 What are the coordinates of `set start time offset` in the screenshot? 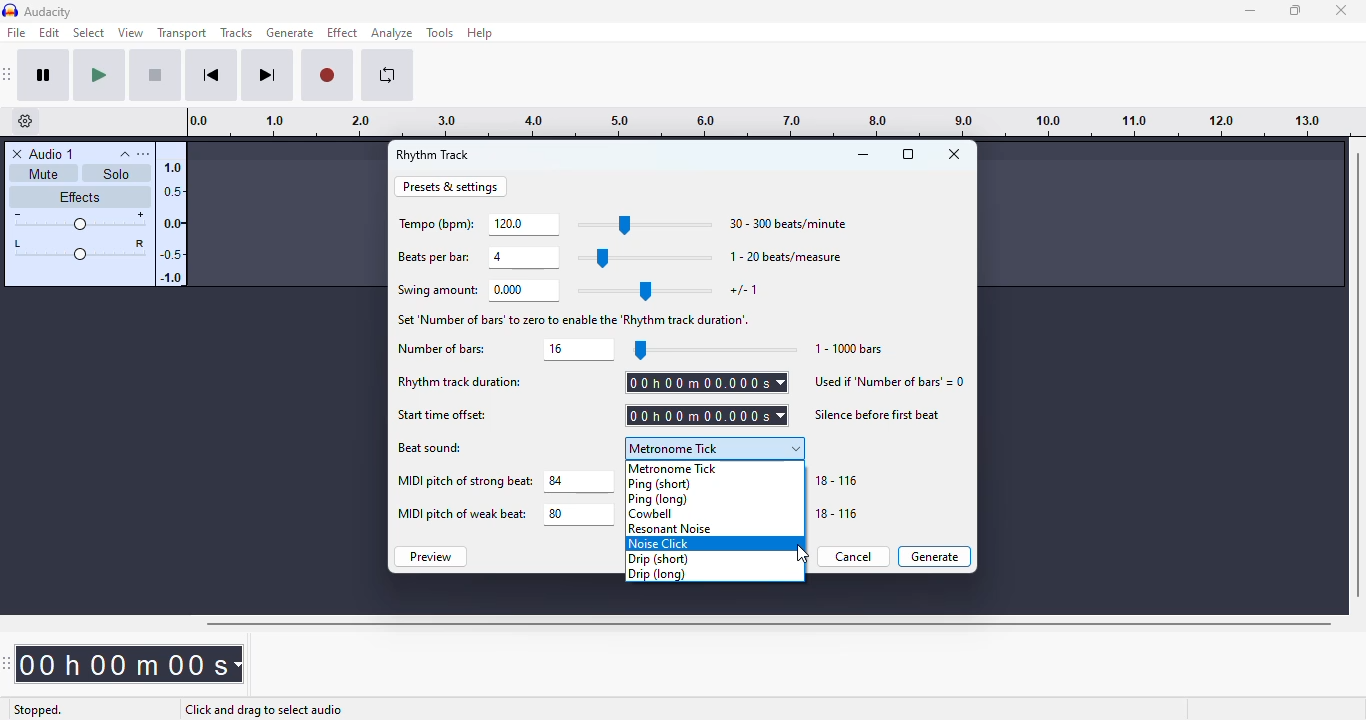 It's located at (706, 415).